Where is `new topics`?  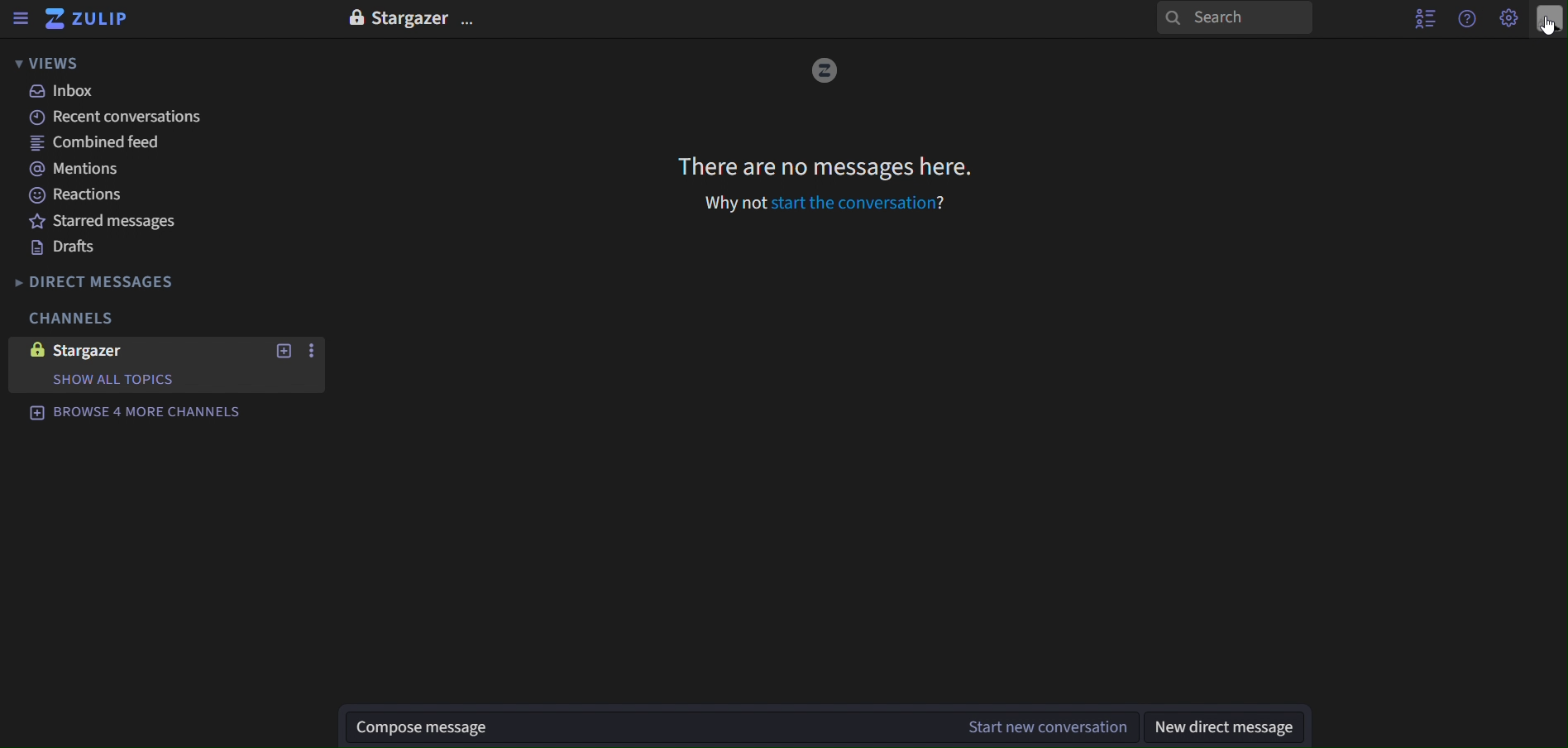
new topics is located at coordinates (283, 351).